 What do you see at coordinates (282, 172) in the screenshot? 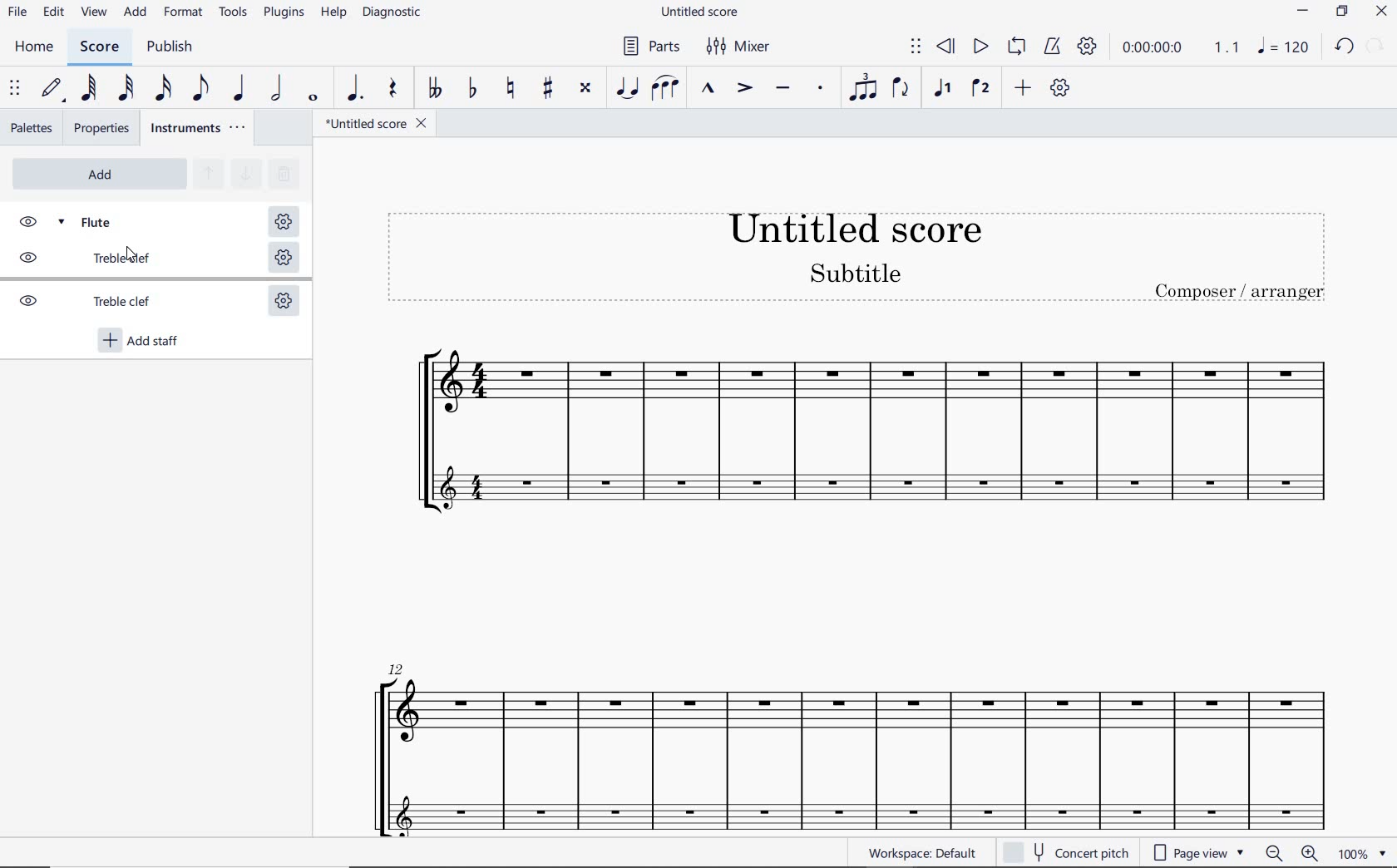
I see `REMOVE SELECTED INSTRUMENTS` at bounding box center [282, 172].